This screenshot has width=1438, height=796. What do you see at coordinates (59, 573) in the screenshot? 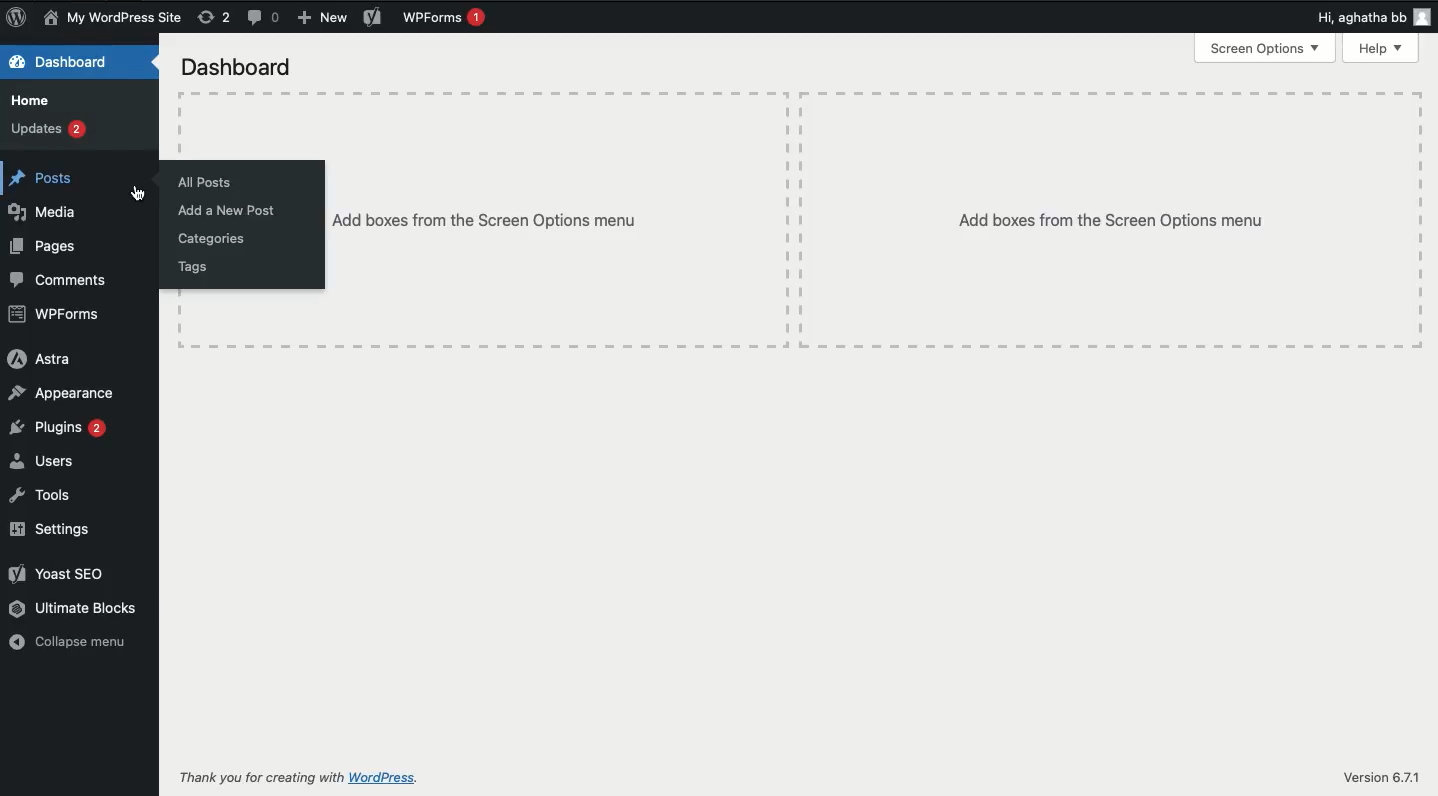
I see `Yoast` at bounding box center [59, 573].